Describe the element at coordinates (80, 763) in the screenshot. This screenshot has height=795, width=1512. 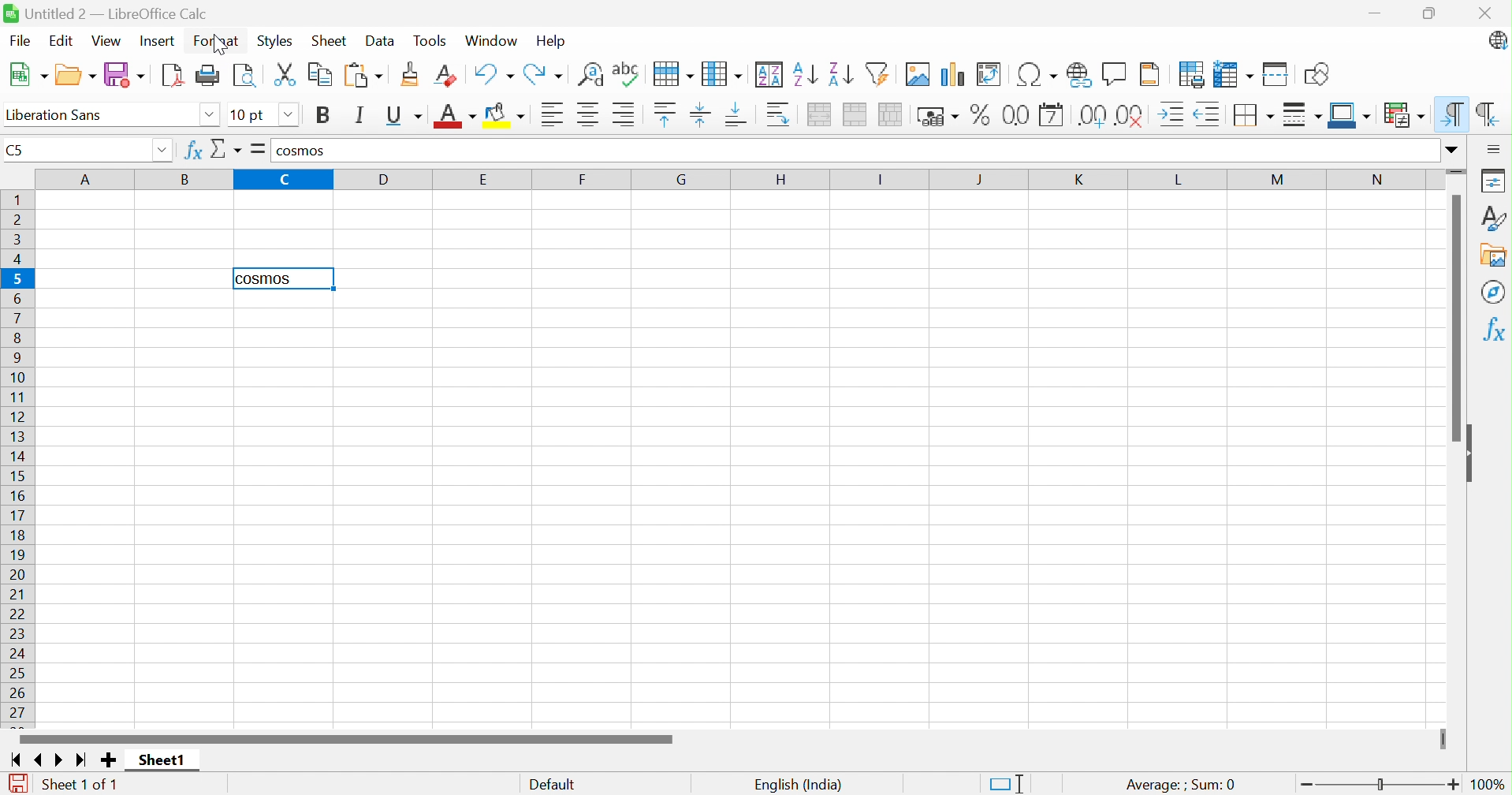
I see `Scroll to last sheet` at that location.